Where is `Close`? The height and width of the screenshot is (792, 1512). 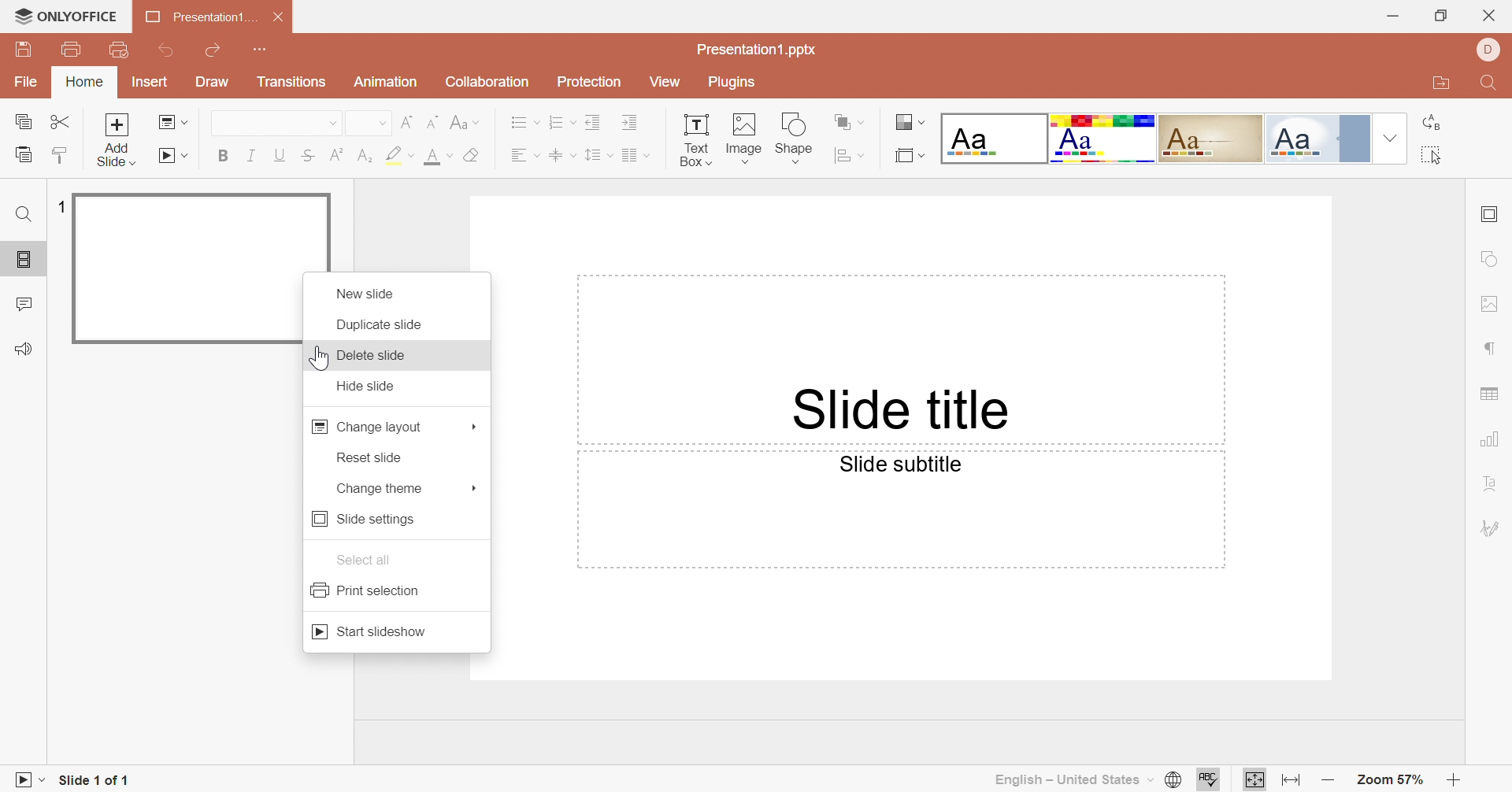 Close is located at coordinates (279, 17).